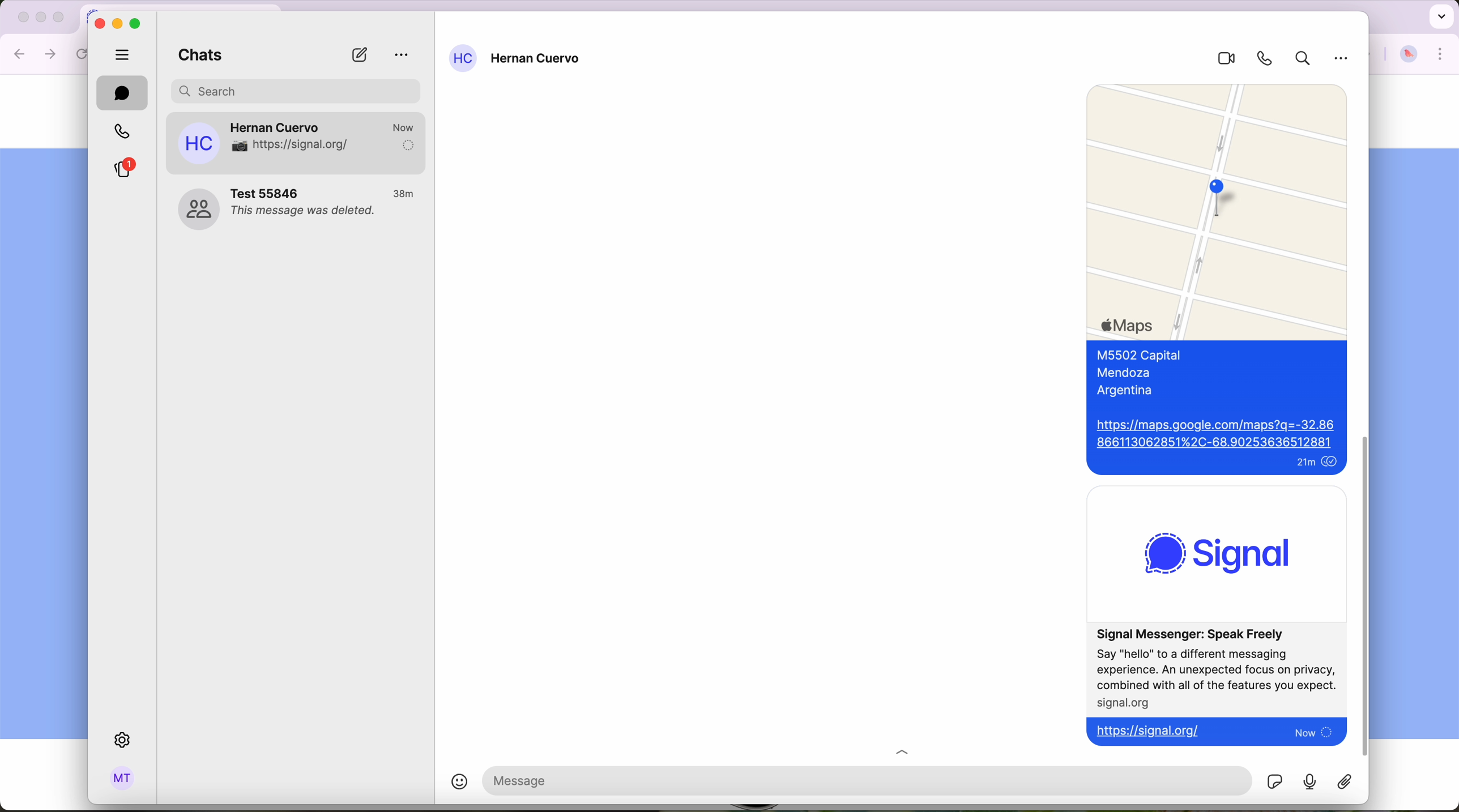 This screenshot has width=1459, height=812. I want to click on screen buttons, so click(39, 18).